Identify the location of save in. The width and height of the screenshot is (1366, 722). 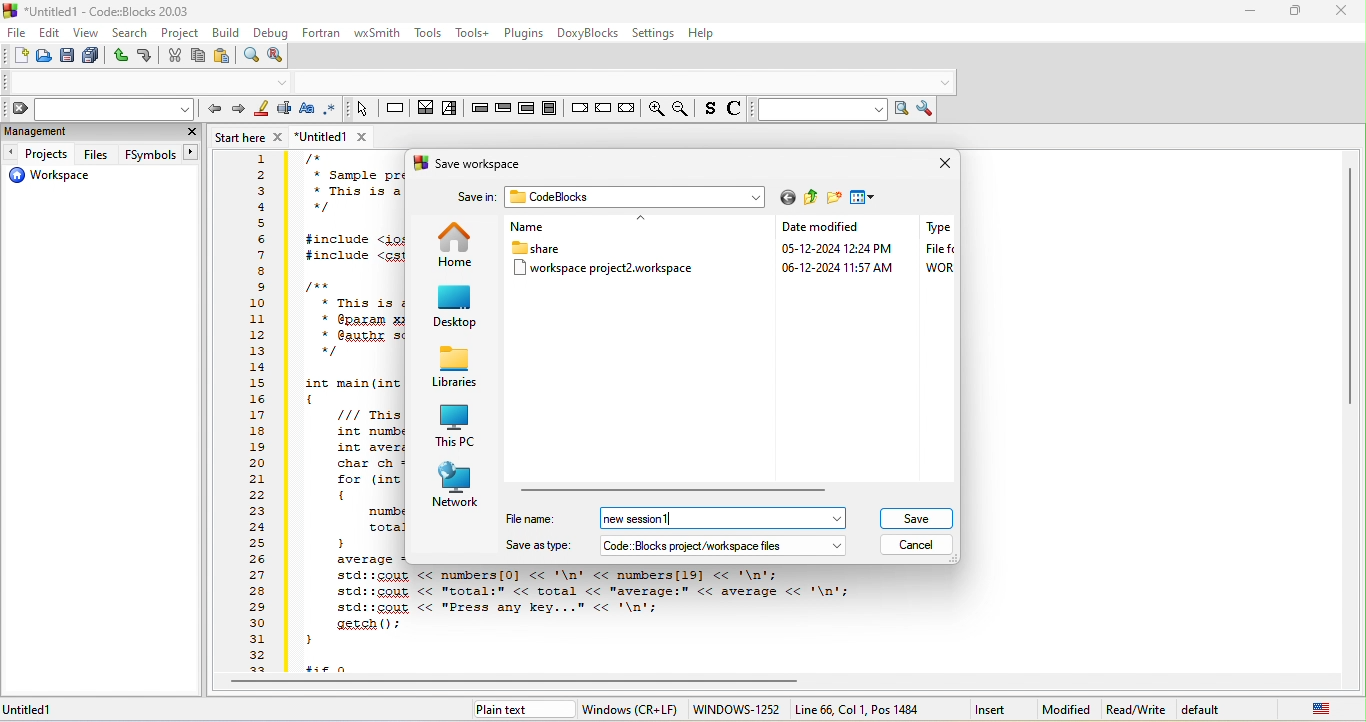
(476, 199).